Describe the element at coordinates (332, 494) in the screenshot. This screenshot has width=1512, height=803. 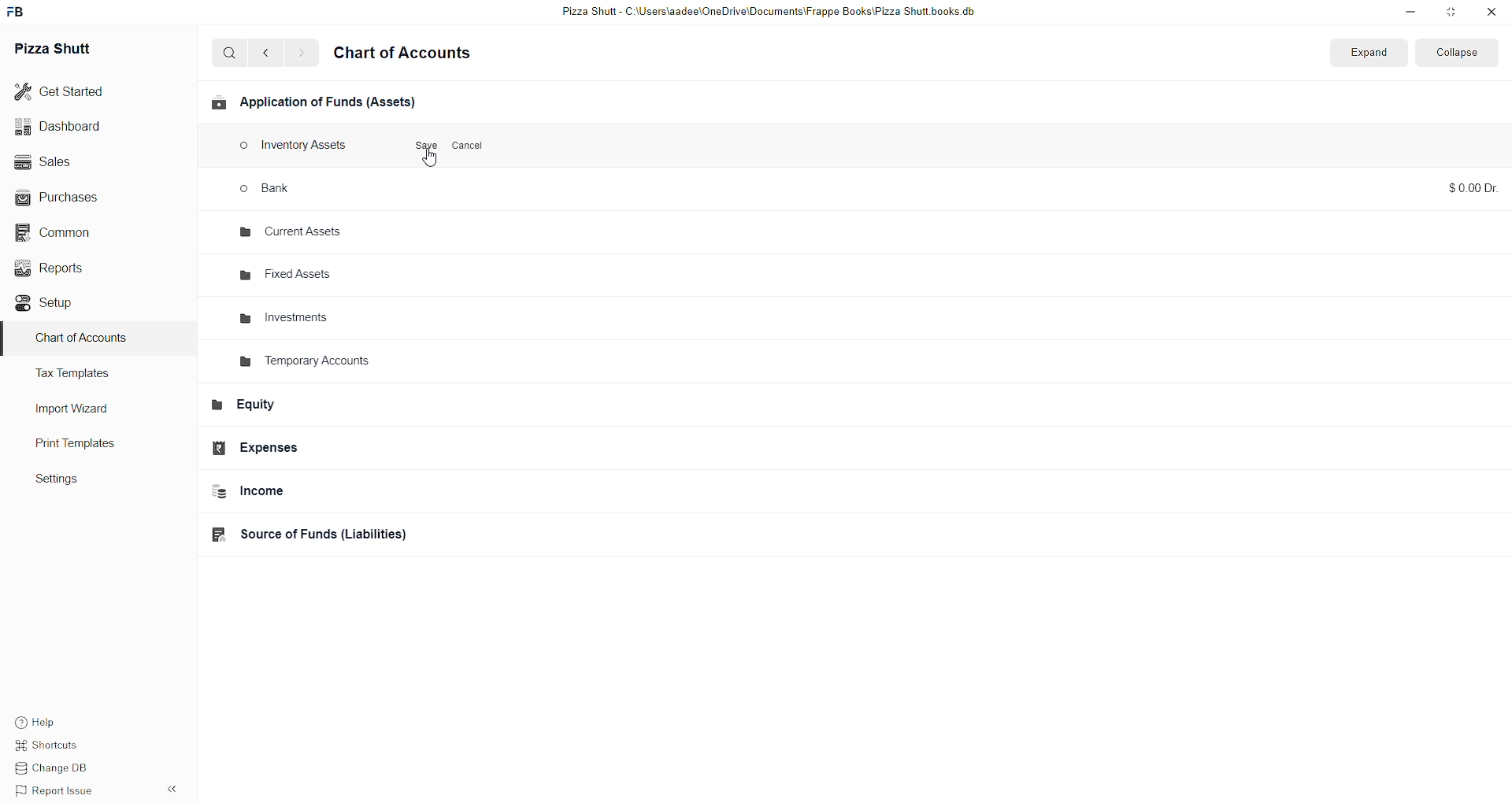
I see `Income ` at that location.